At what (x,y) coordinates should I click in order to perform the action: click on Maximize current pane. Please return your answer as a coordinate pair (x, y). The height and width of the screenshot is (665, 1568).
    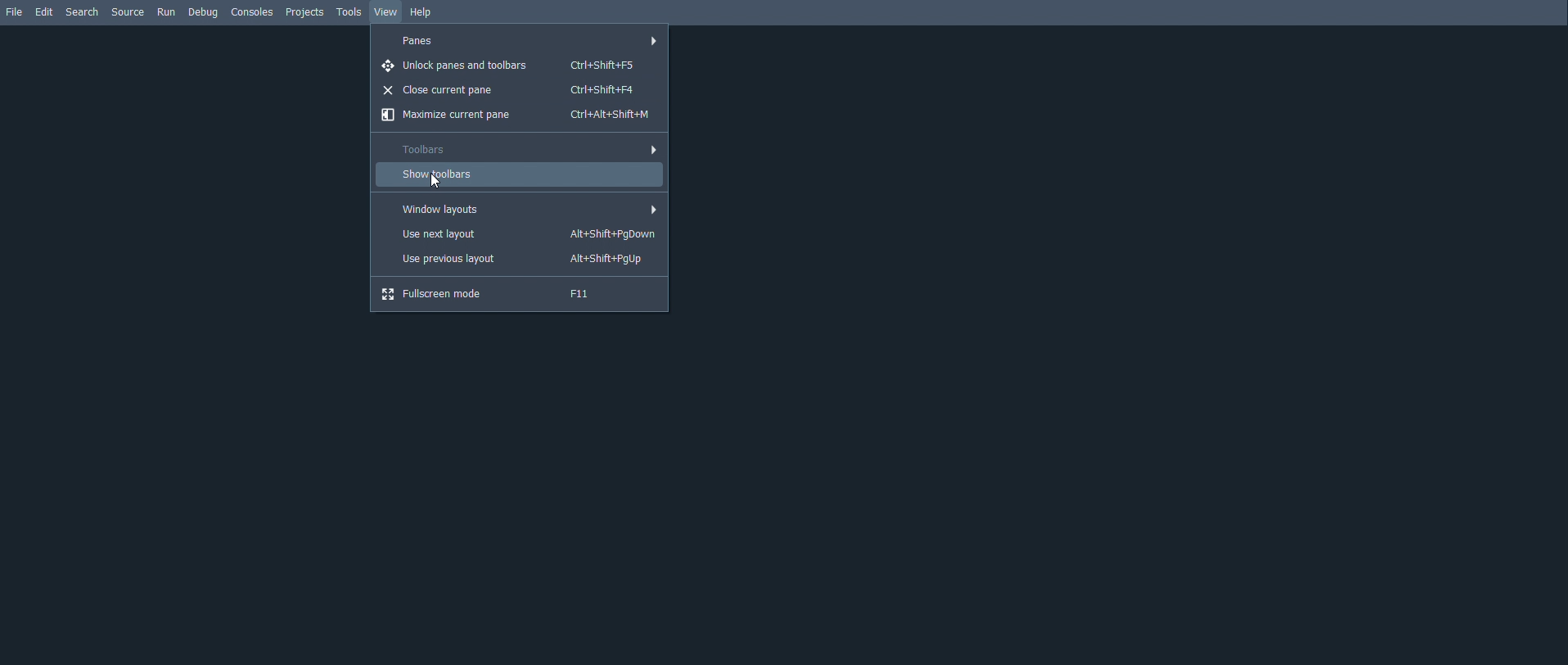
    Looking at the image, I should click on (517, 114).